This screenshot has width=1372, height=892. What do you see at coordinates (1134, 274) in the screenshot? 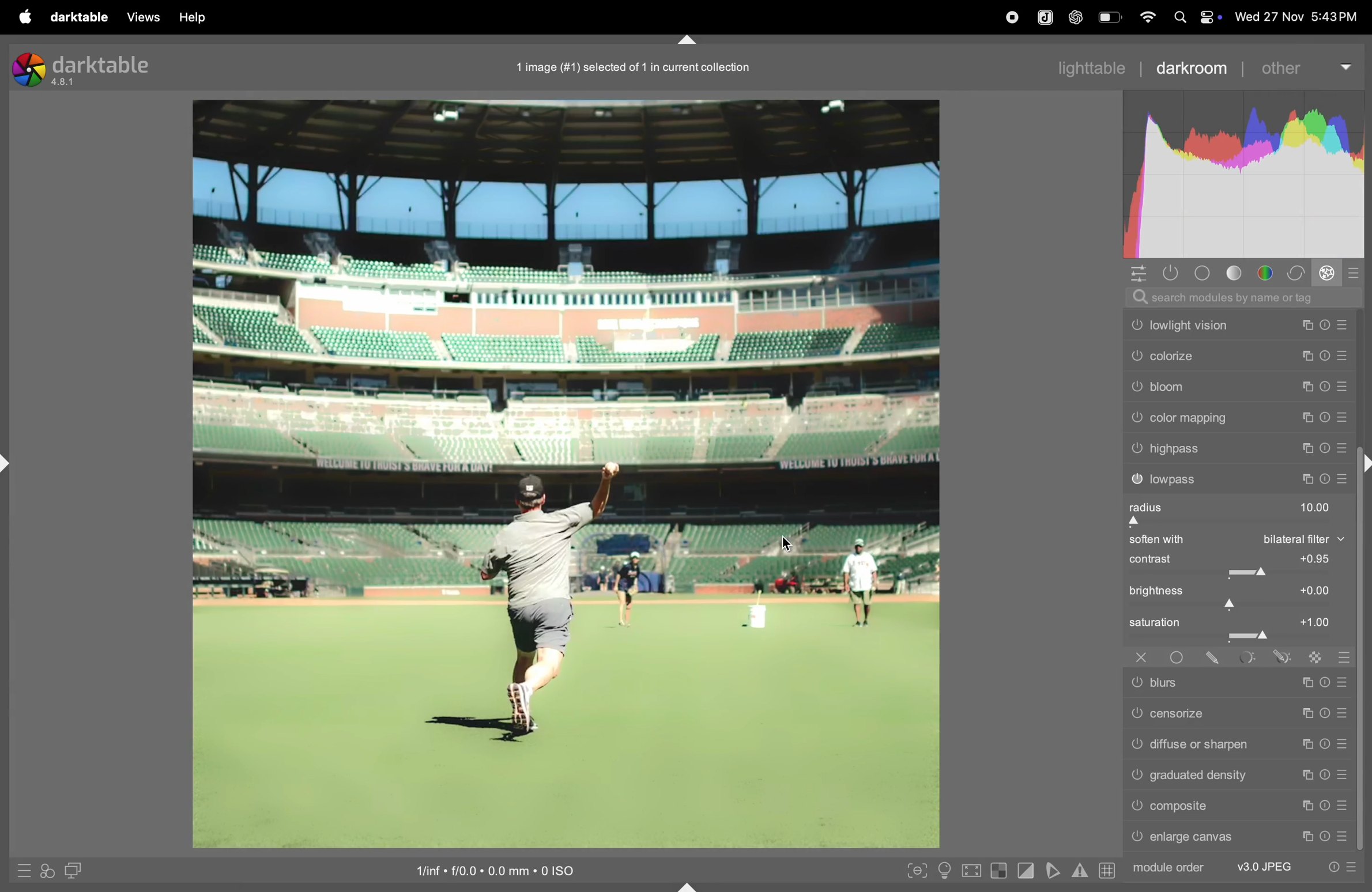
I see `quick acess panel` at bounding box center [1134, 274].